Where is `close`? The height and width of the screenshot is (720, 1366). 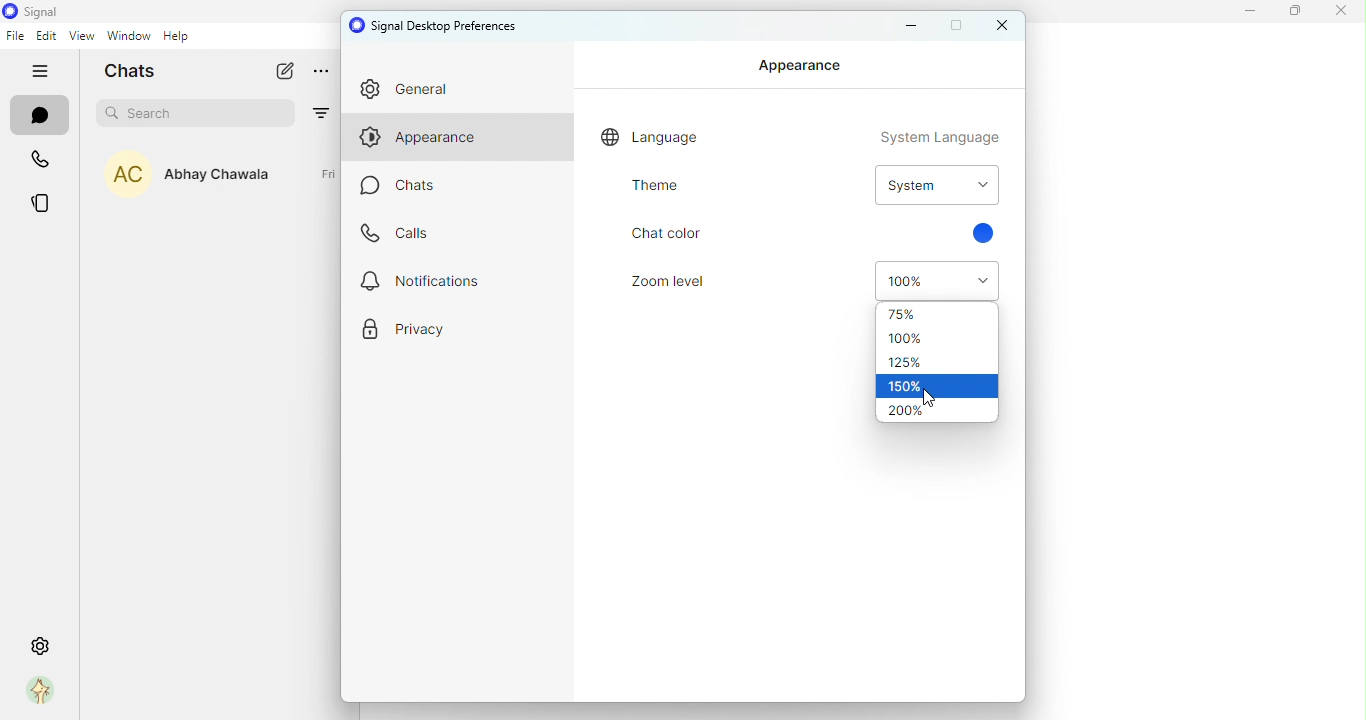
close is located at coordinates (1001, 26).